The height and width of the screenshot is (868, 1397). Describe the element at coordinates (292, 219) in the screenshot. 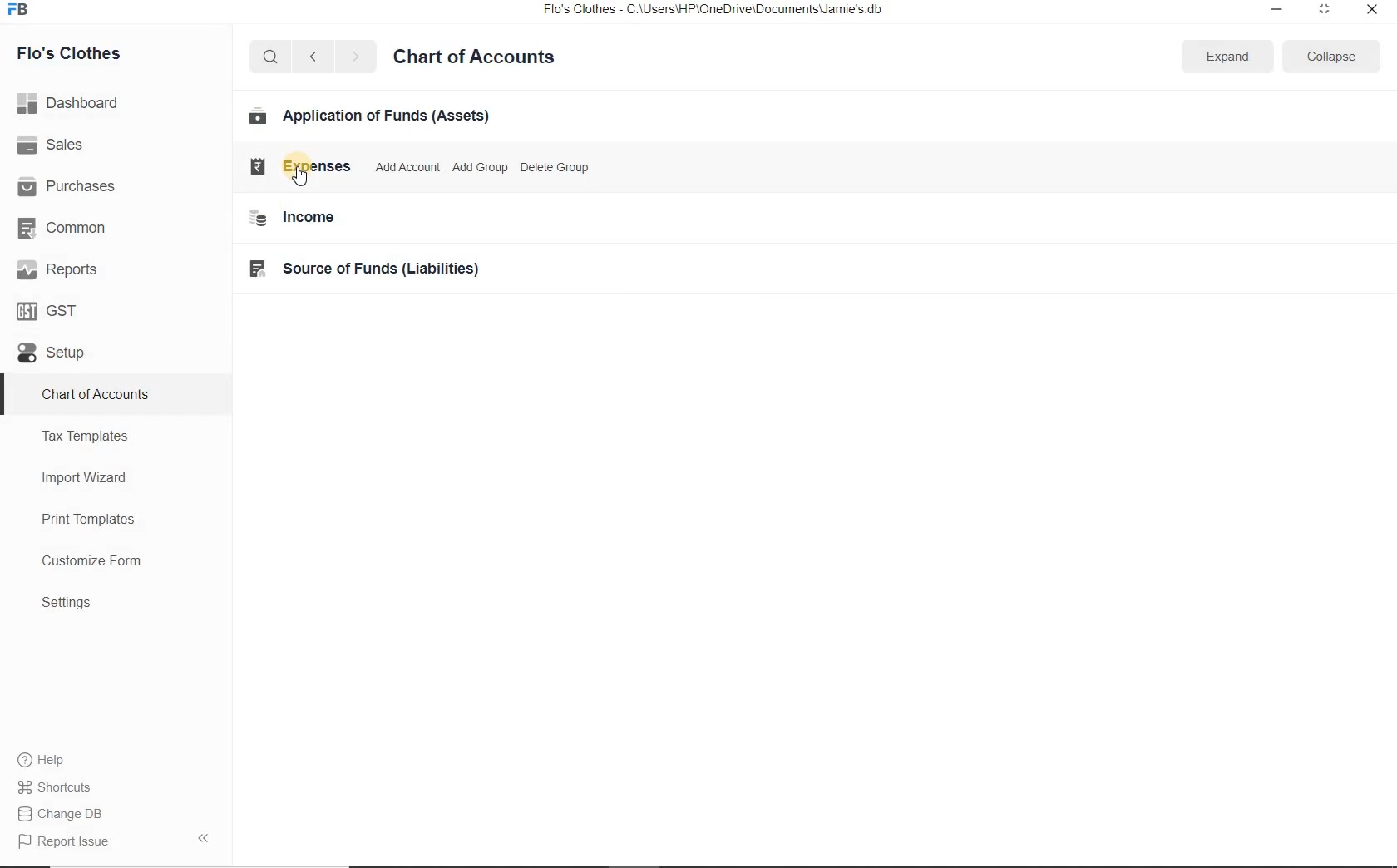

I see `Income` at that location.